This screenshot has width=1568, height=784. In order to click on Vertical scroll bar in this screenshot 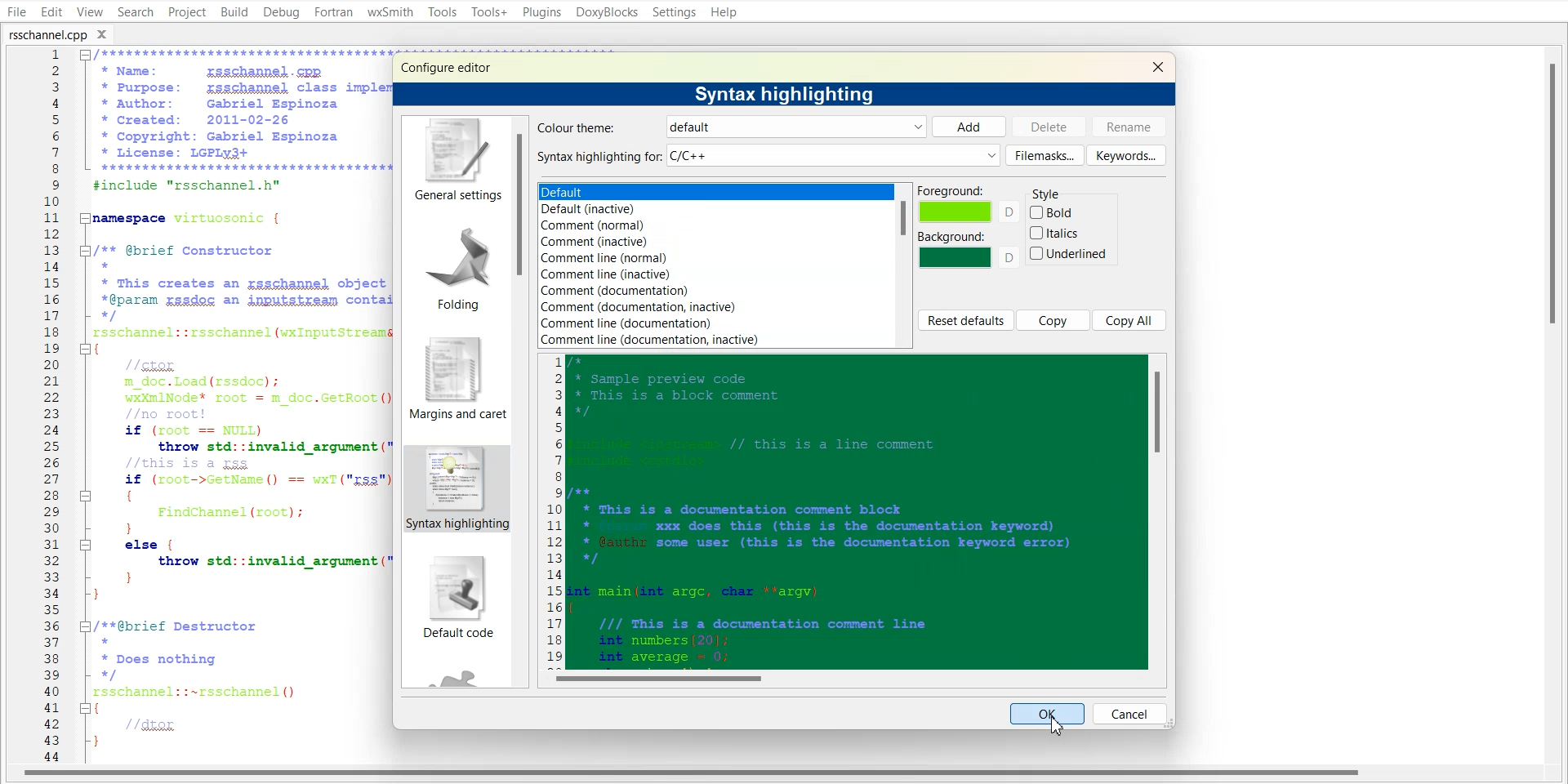, I will do `click(903, 265)`.